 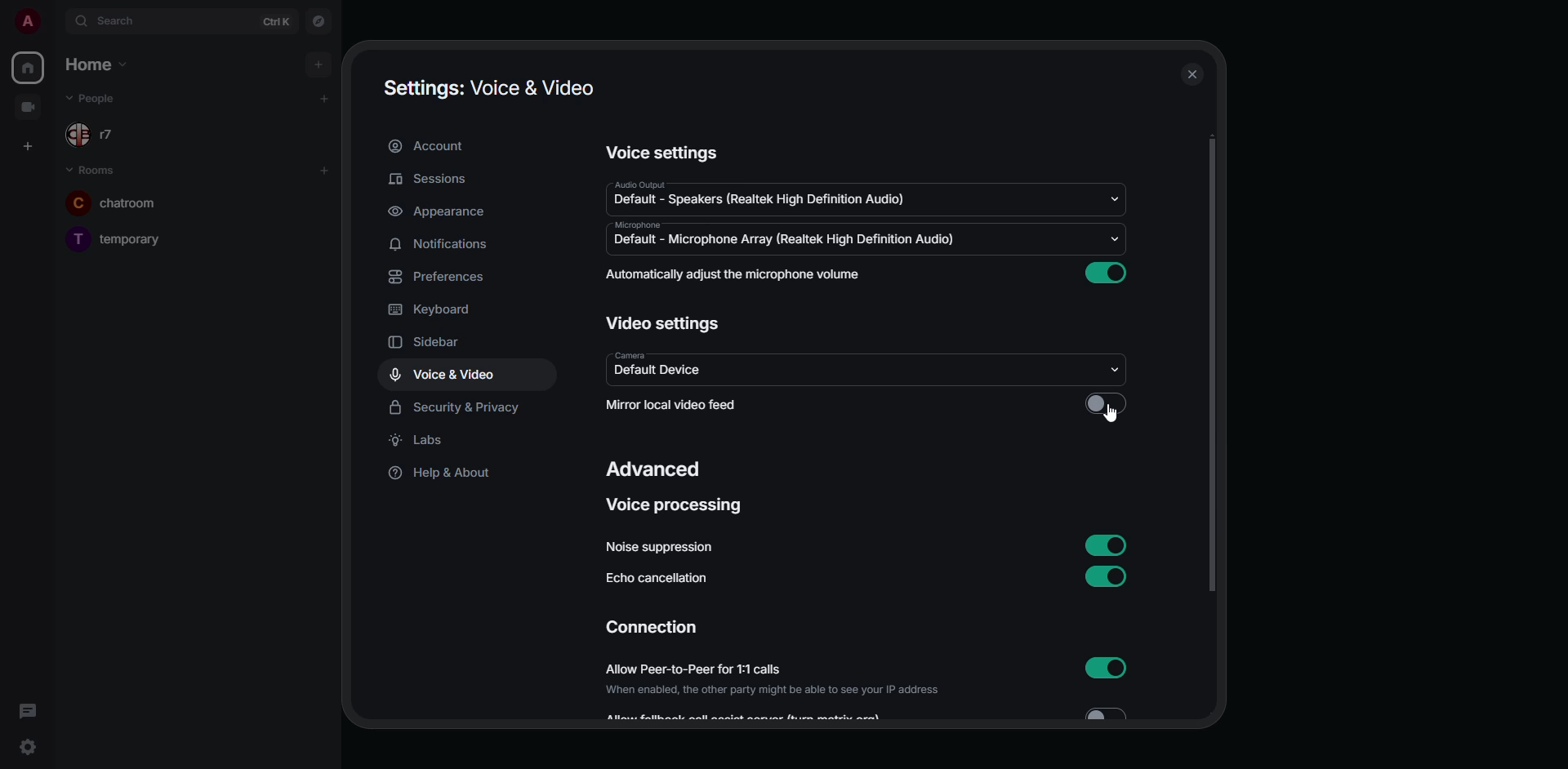 I want to click on add, so click(x=323, y=169).